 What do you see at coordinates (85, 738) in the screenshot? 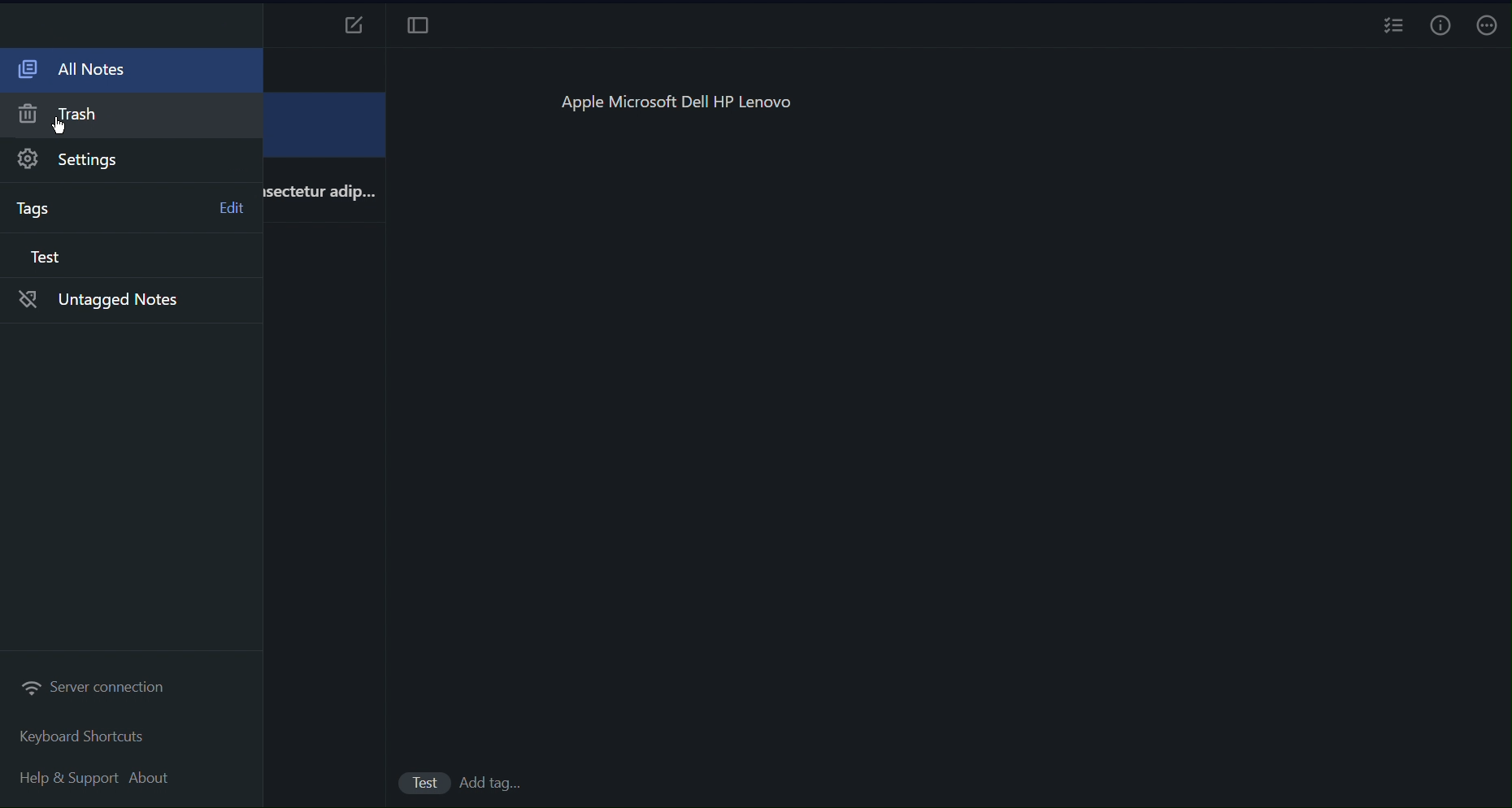
I see `Keyboard Shortcuts` at bounding box center [85, 738].